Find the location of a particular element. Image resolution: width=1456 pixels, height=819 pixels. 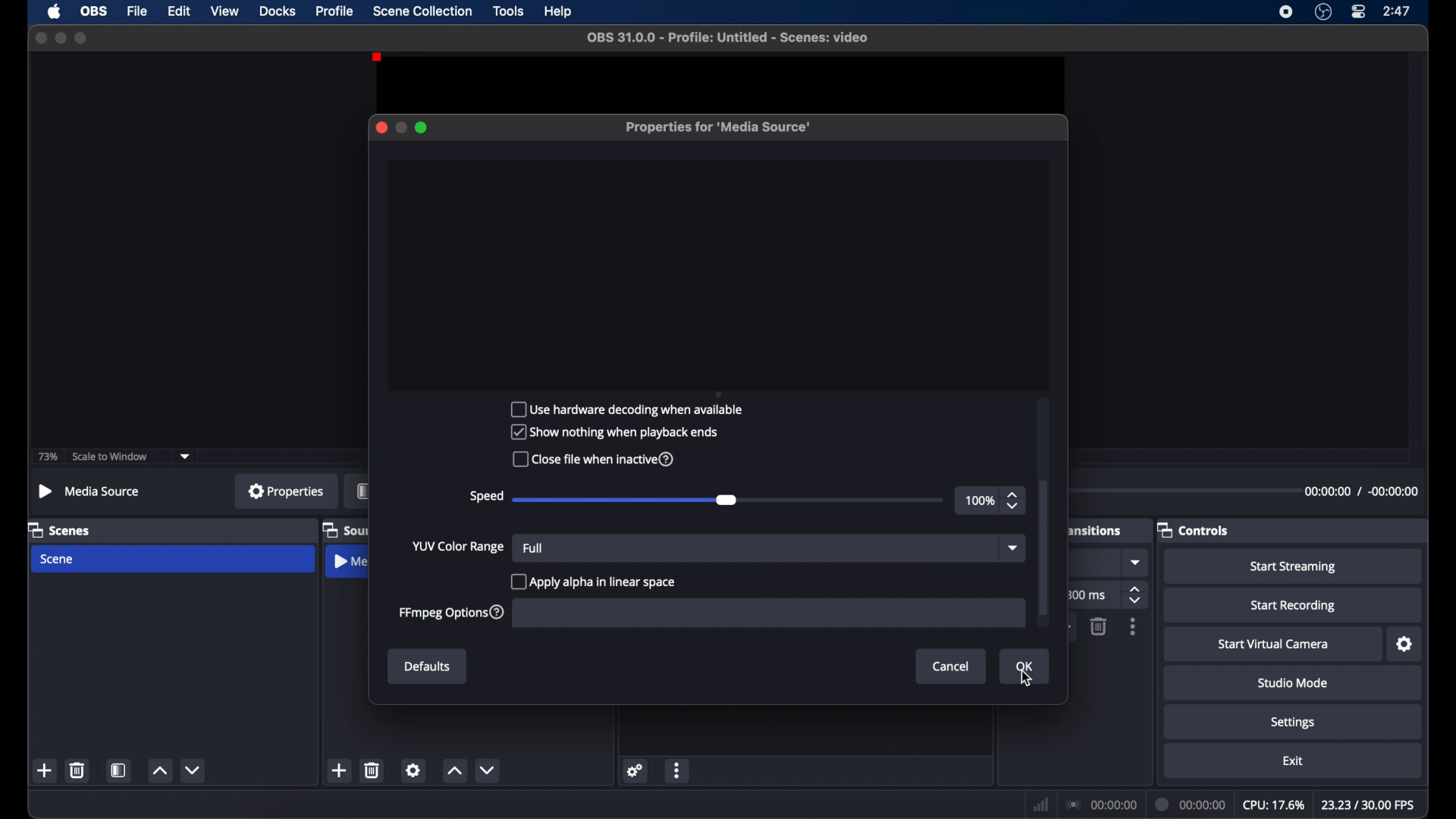

close is located at coordinates (381, 127).